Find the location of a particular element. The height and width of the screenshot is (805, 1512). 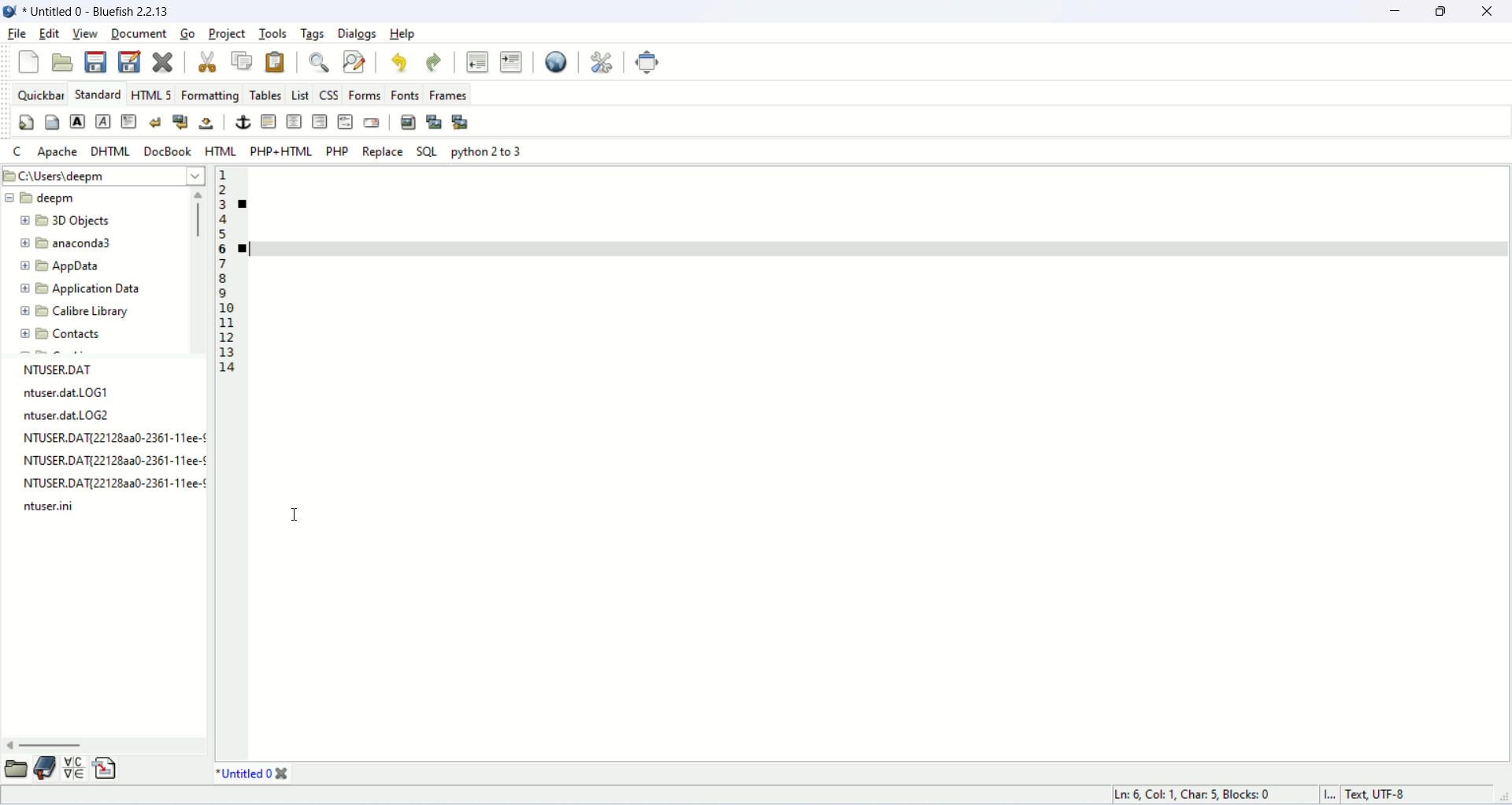

unindent is located at coordinates (477, 64).